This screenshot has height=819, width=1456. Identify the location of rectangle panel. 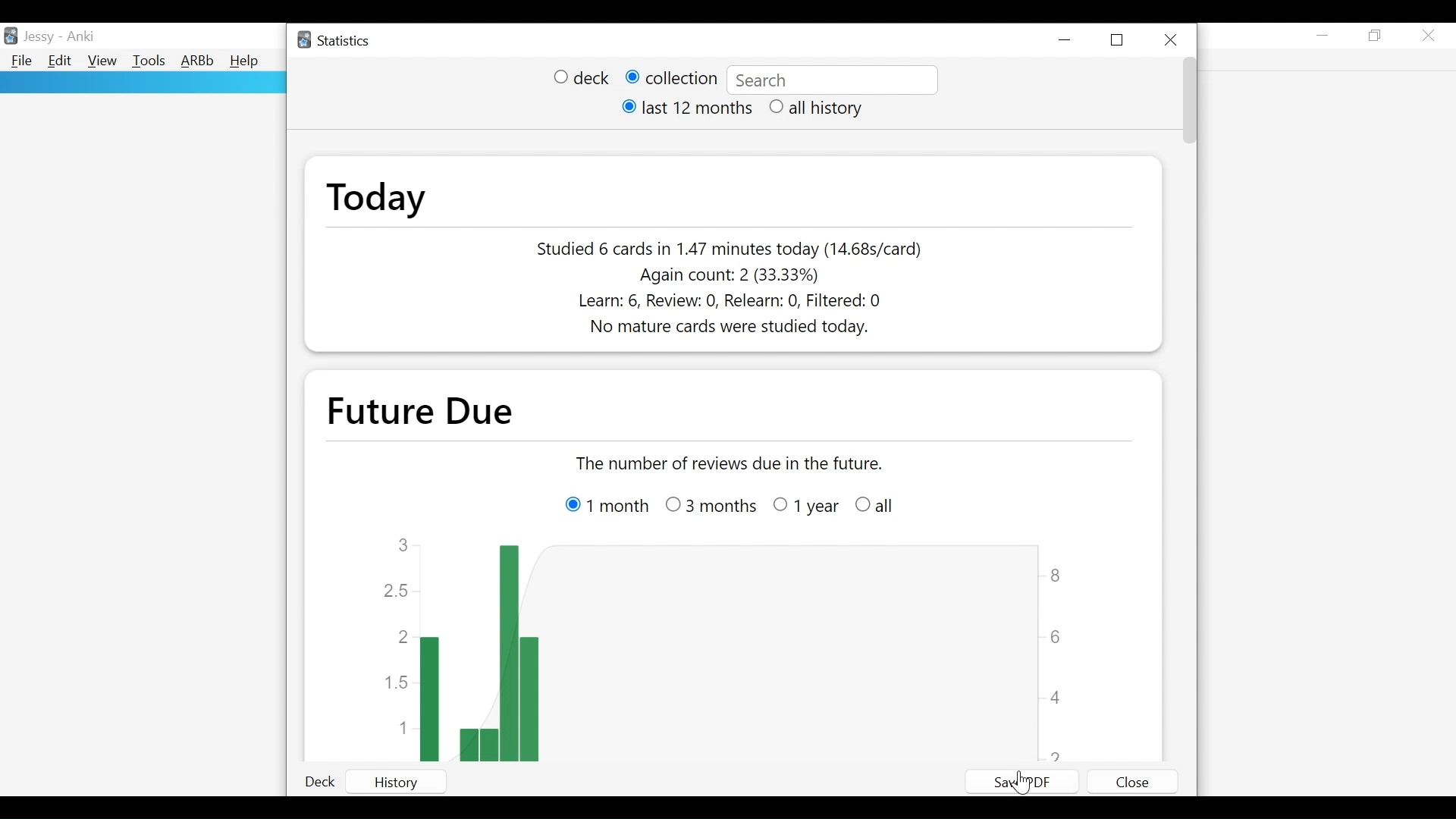
(142, 83).